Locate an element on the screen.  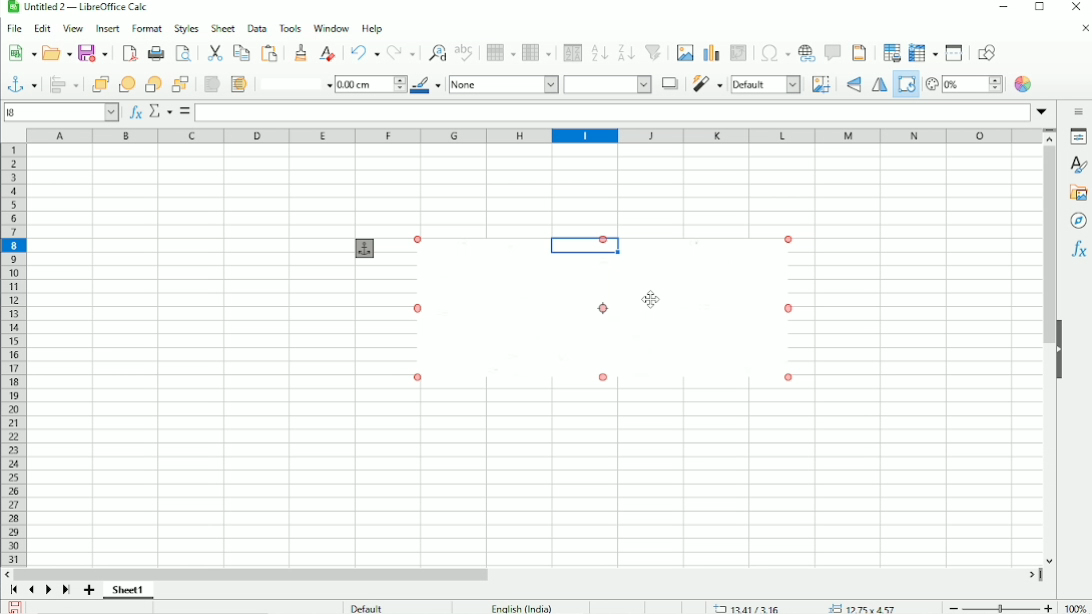
Add sheet is located at coordinates (88, 590).